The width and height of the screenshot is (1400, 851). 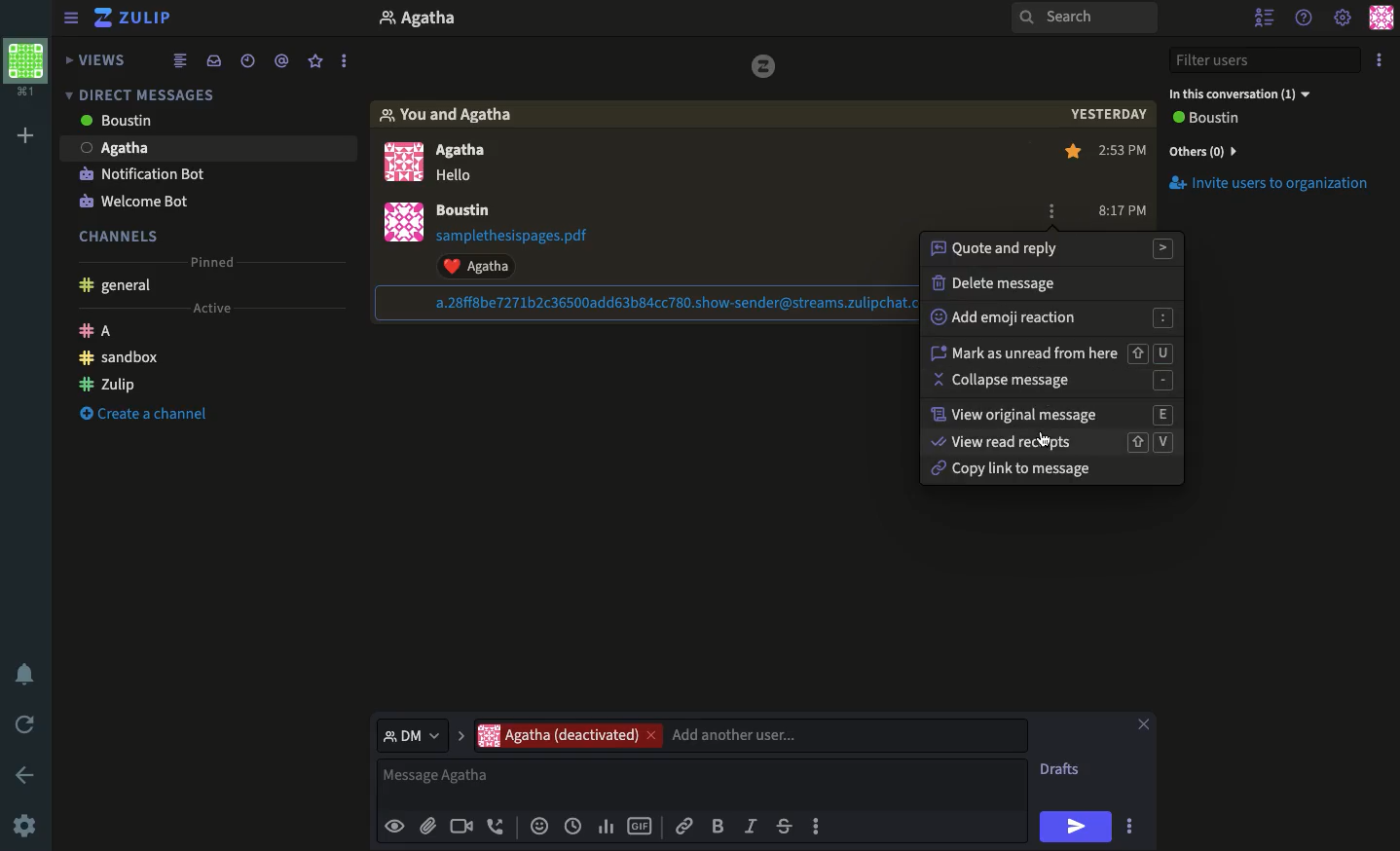 What do you see at coordinates (427, 825) in the screenshot?
I see `File attachment` at bounding box center [427, 825].